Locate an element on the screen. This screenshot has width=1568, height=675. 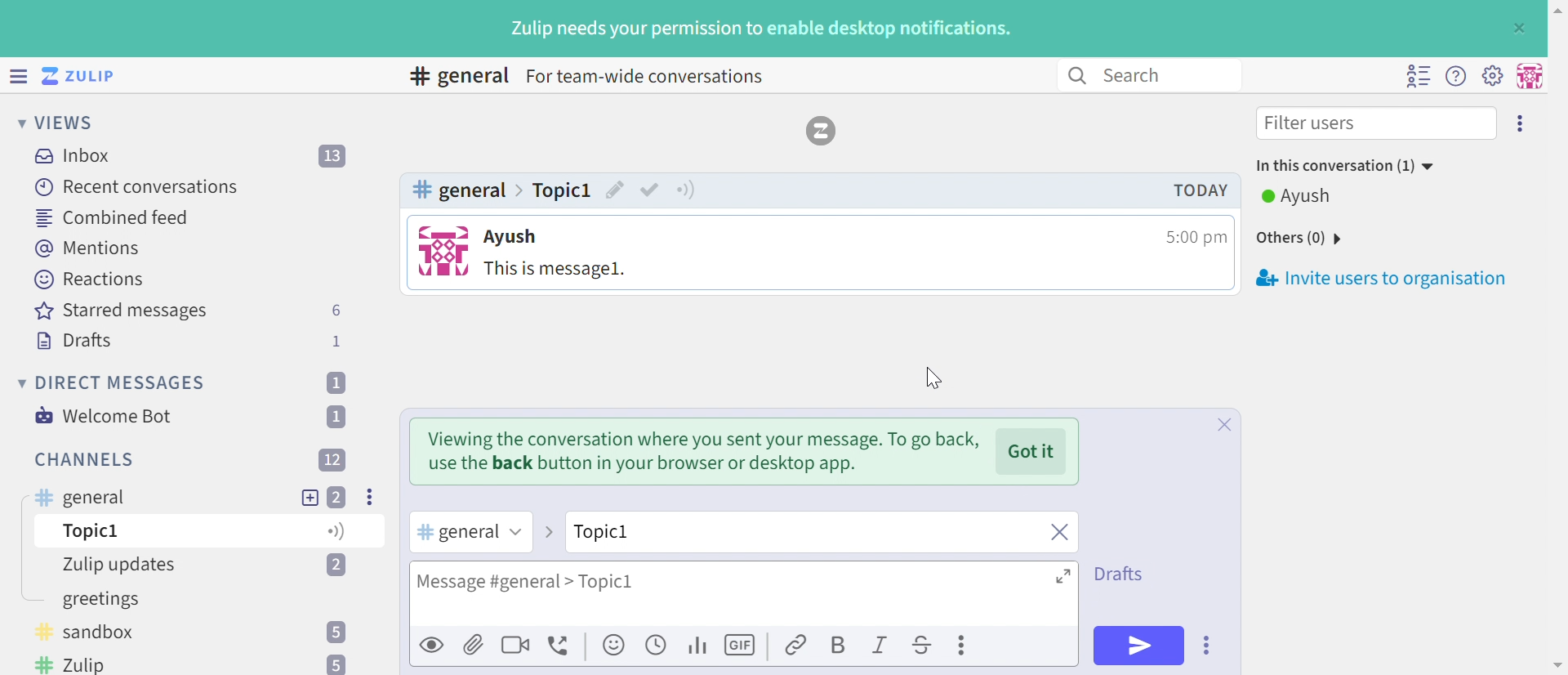
~ sandbox is located at coordinates (99, 634).